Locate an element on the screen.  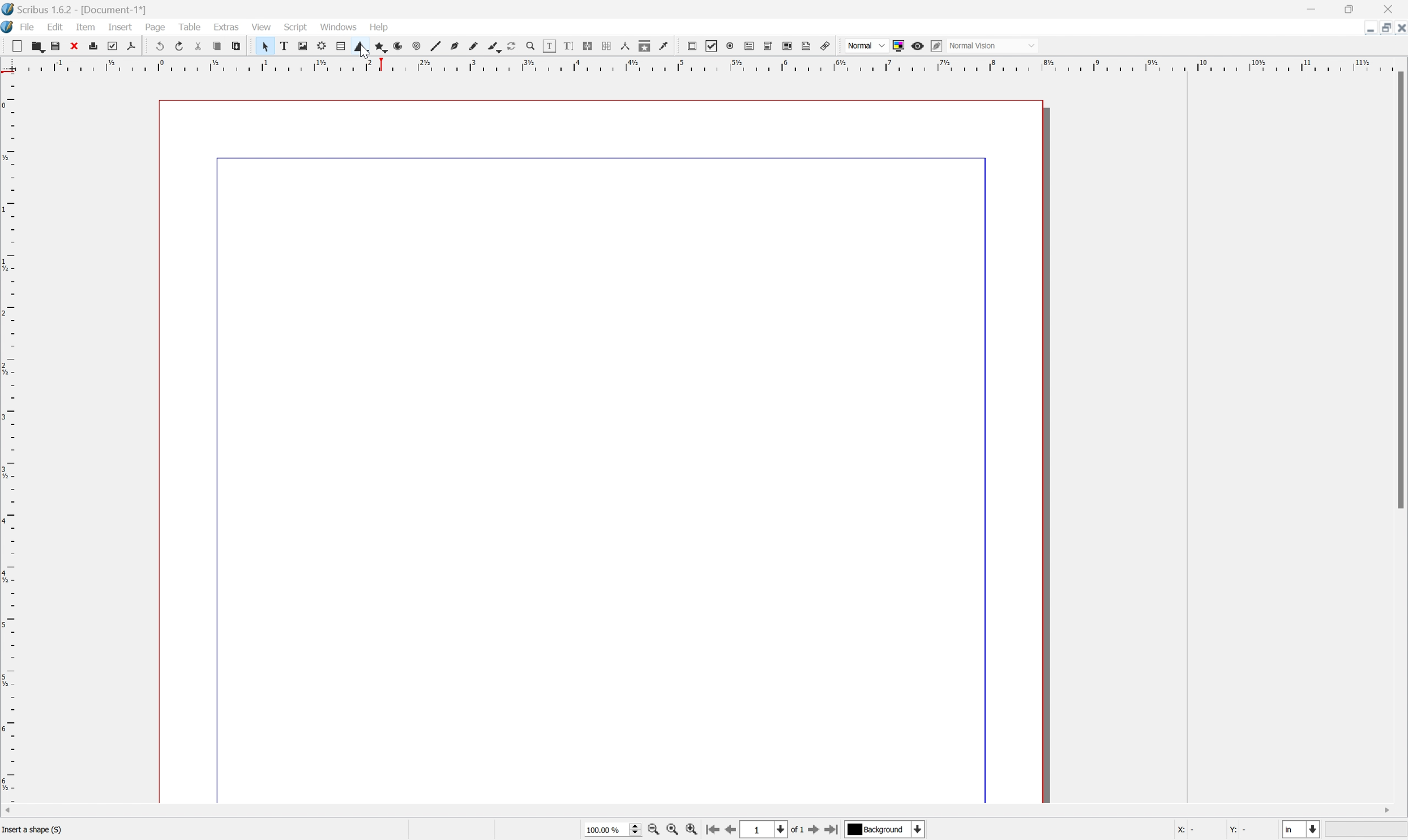
Background is located at coordinates (878, 829).